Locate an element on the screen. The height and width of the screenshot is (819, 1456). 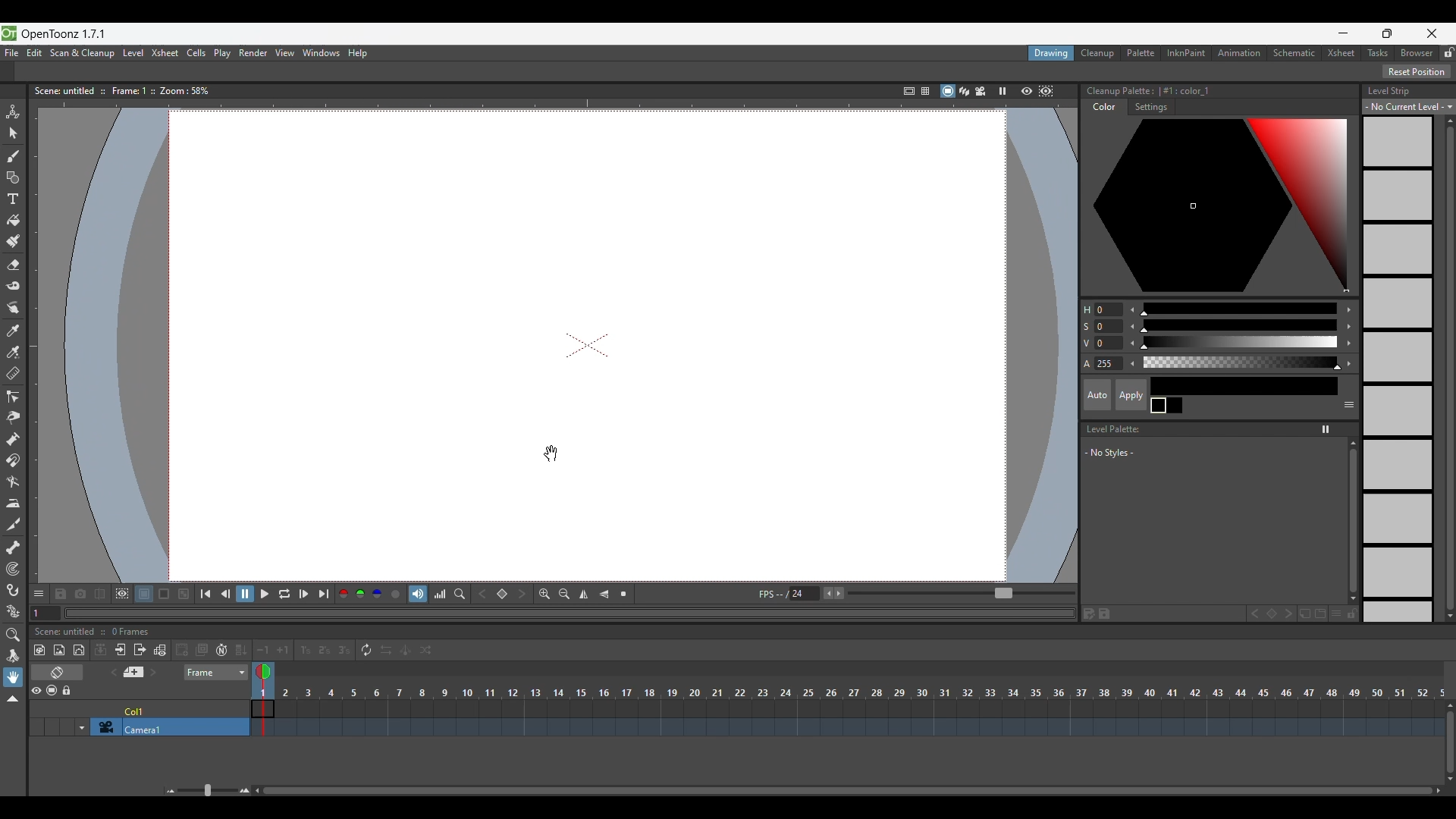
New toonz raster level is located at coordinates (39, 650).